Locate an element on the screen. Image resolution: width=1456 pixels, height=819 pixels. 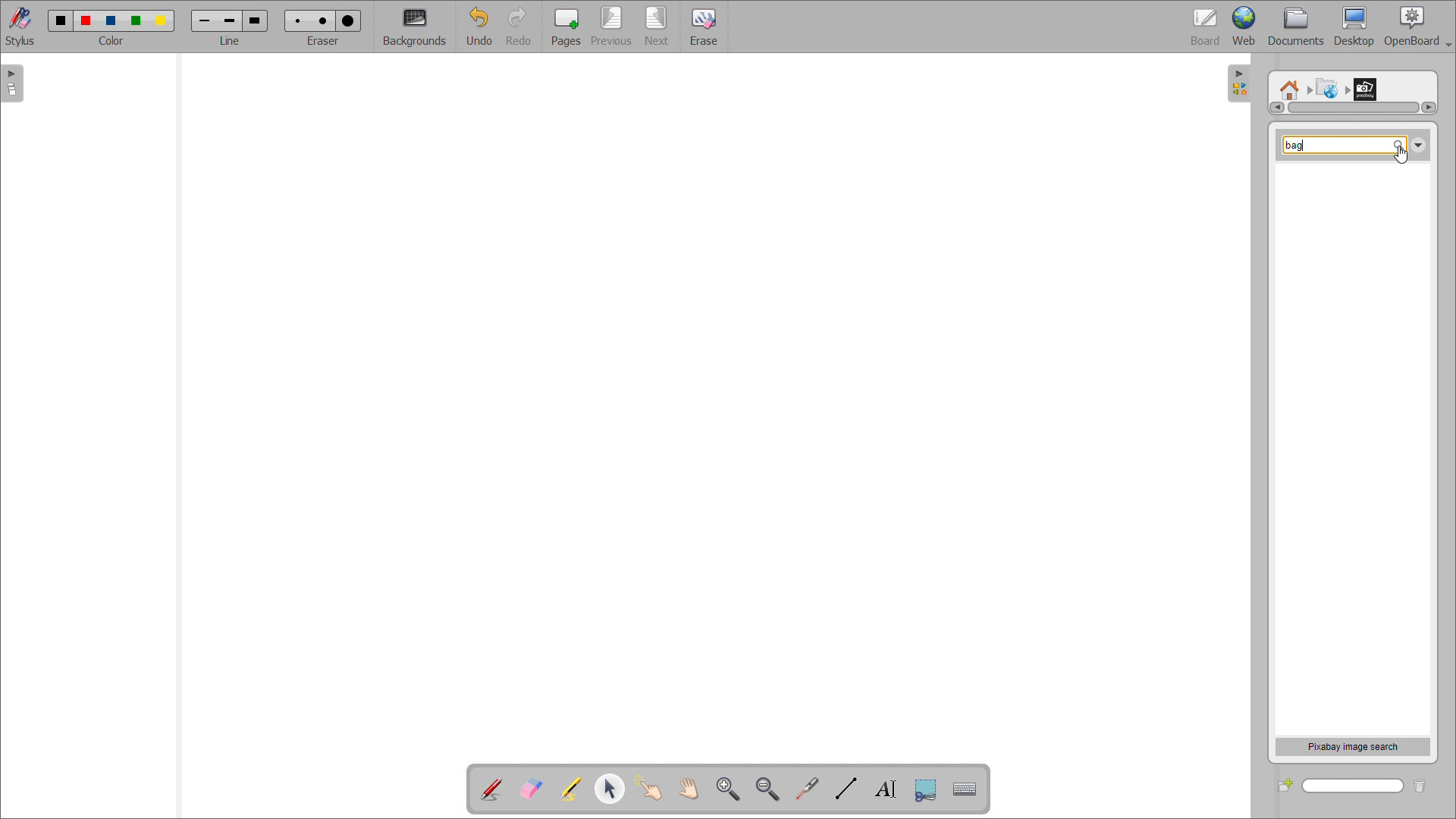
Color 4 is located at coordinates (138, 20).